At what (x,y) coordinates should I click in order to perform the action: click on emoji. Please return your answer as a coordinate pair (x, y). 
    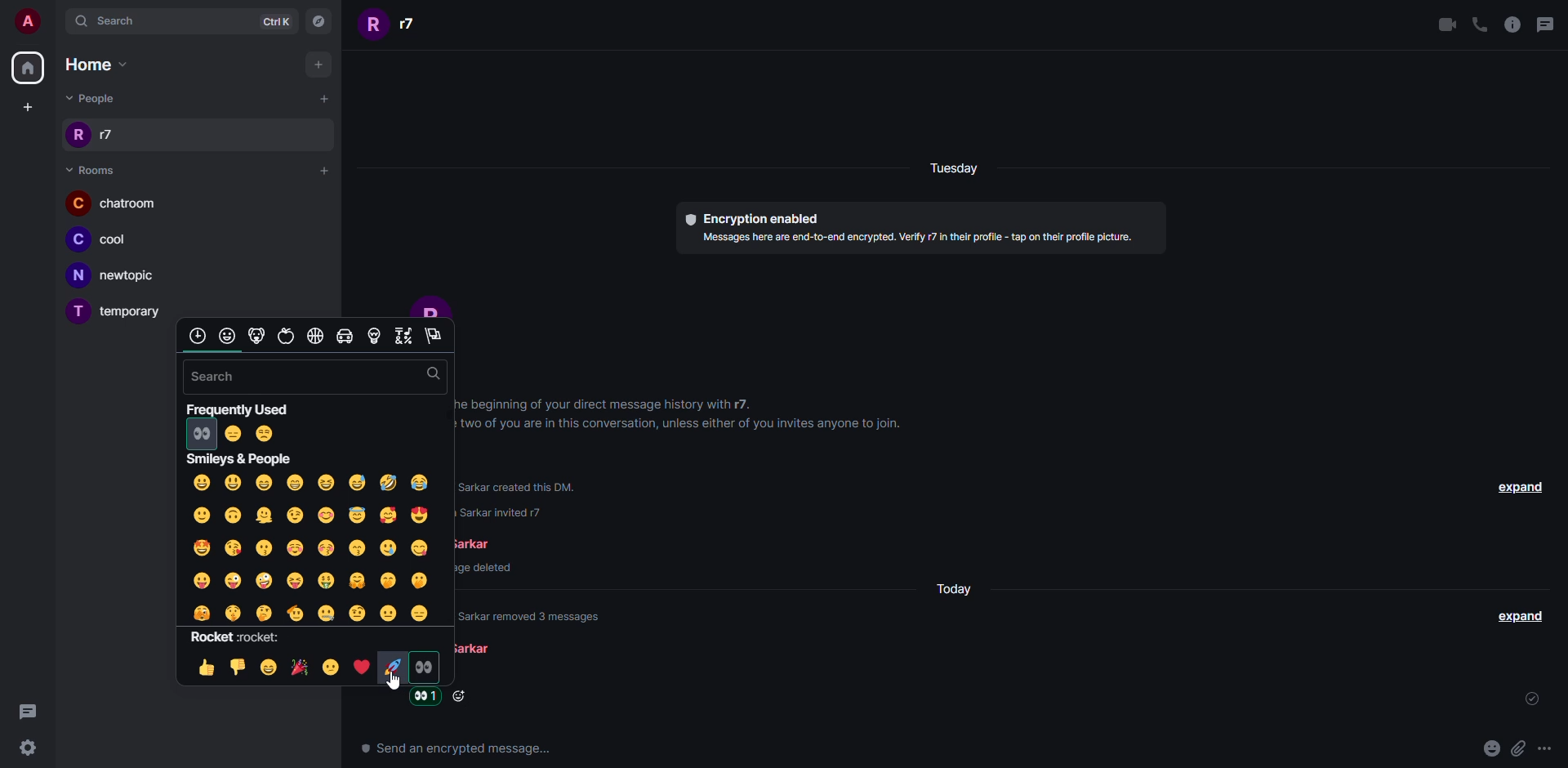
    Looking at the image, I should click on (238, 668).